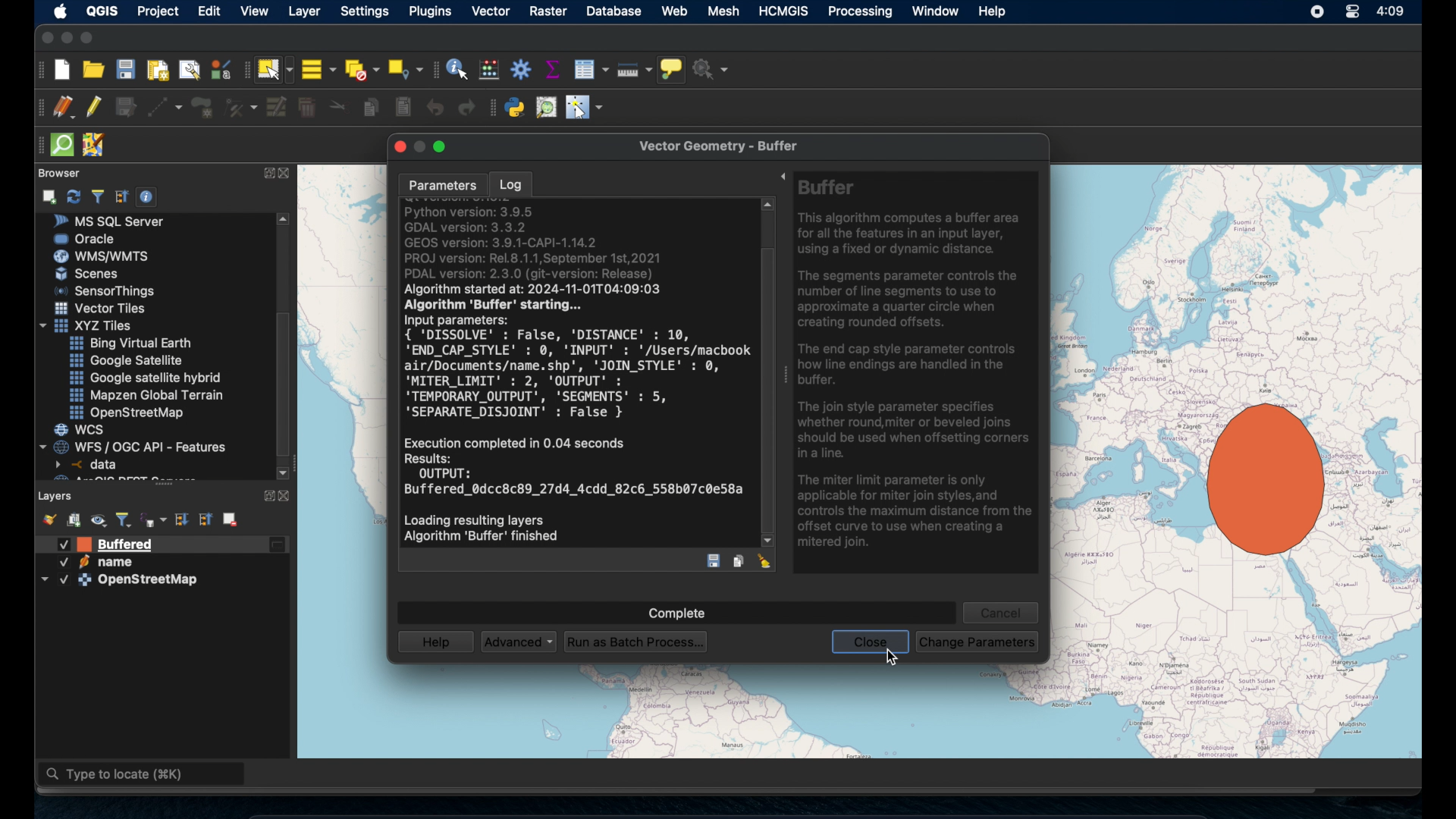 The height and width of the screenshot is (819, 1456). Describe the element at coordinates (739, 560) in the screenshot. I see `copy log to clipboard` at that location.